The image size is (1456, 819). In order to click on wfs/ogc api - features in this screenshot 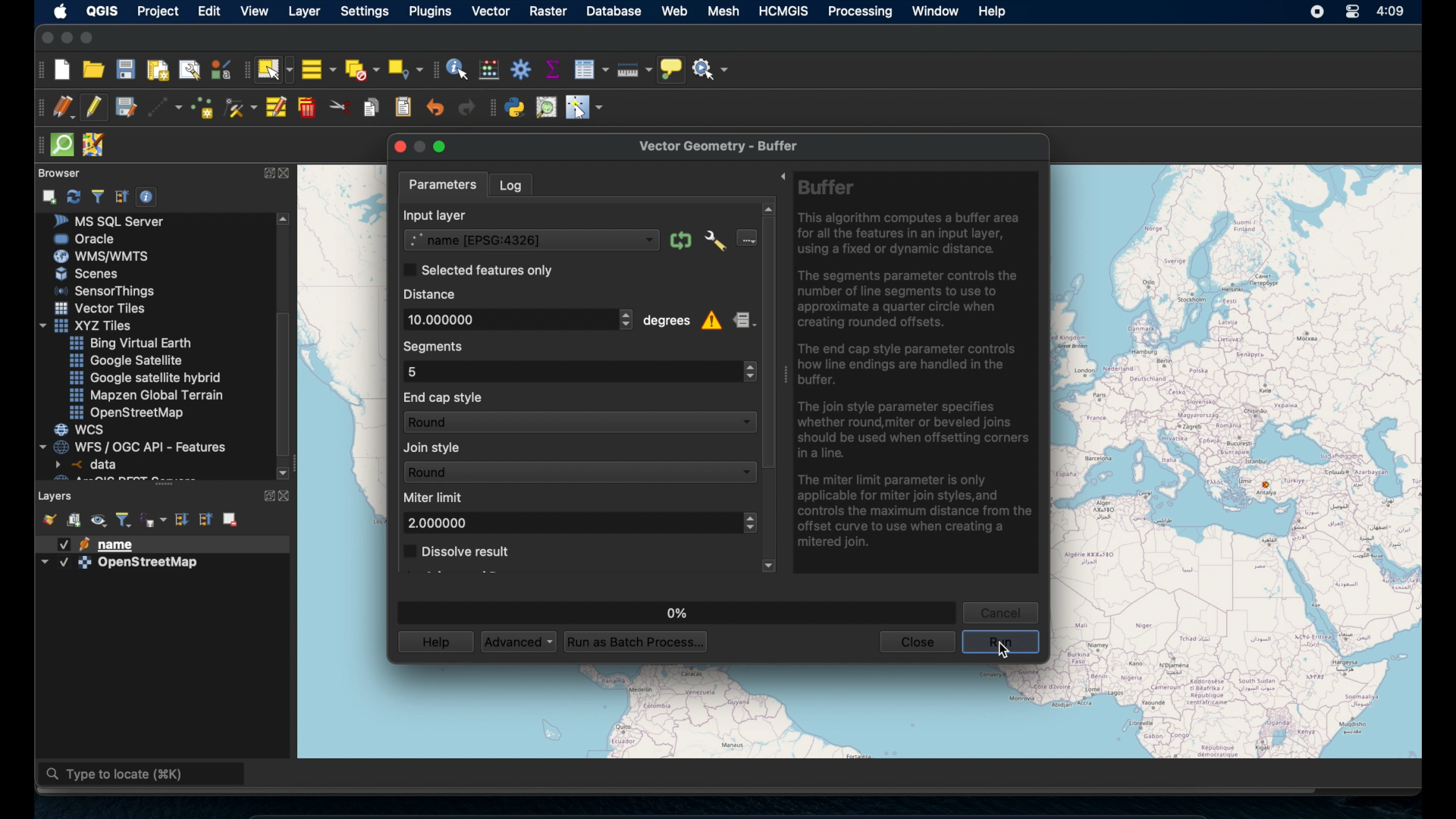, I will do `click(135, 446)`.